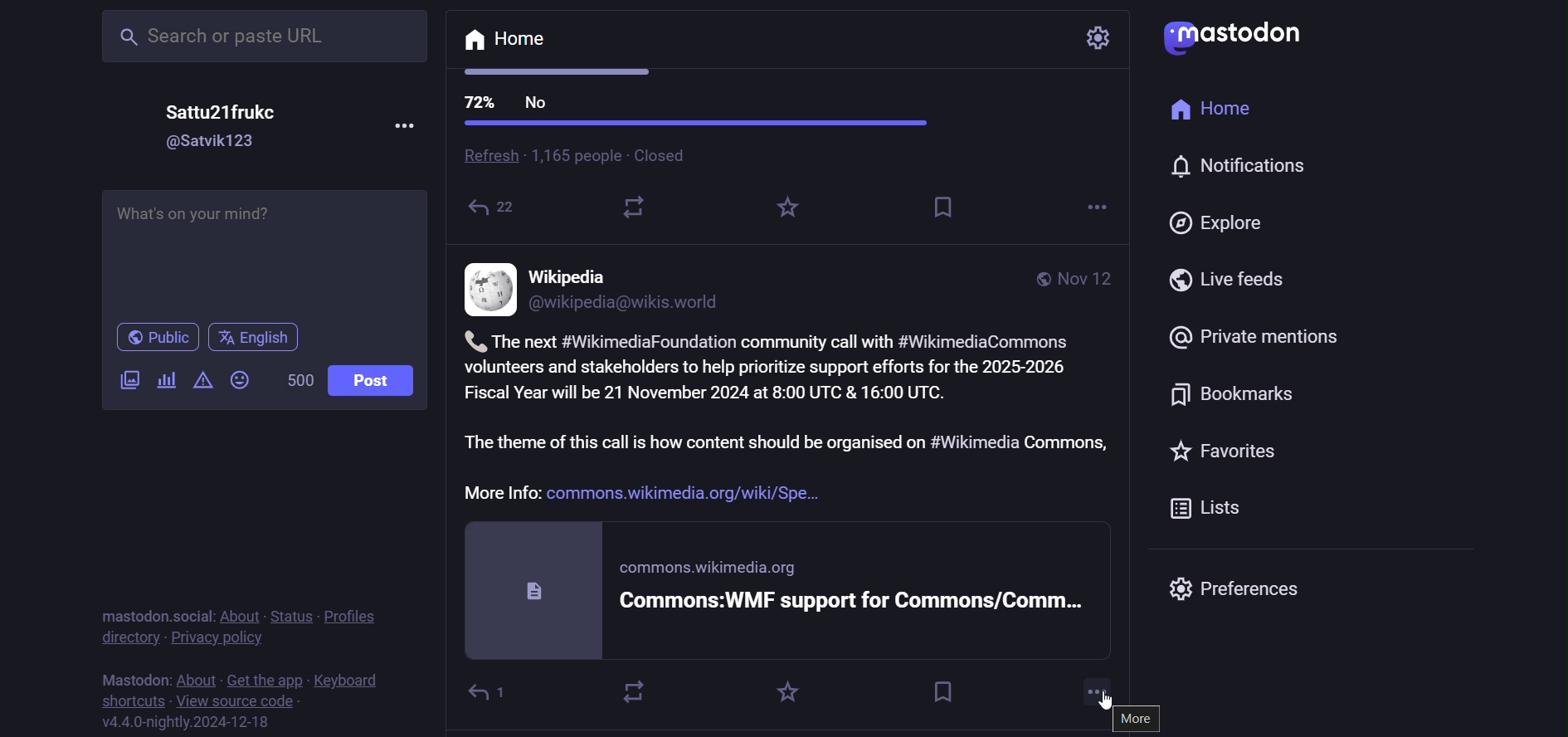 The height and width of the screenshot is (737, 1568). Describe the element at coordinates (1235, 279) in the screenshot. I see `live feed` at that location.